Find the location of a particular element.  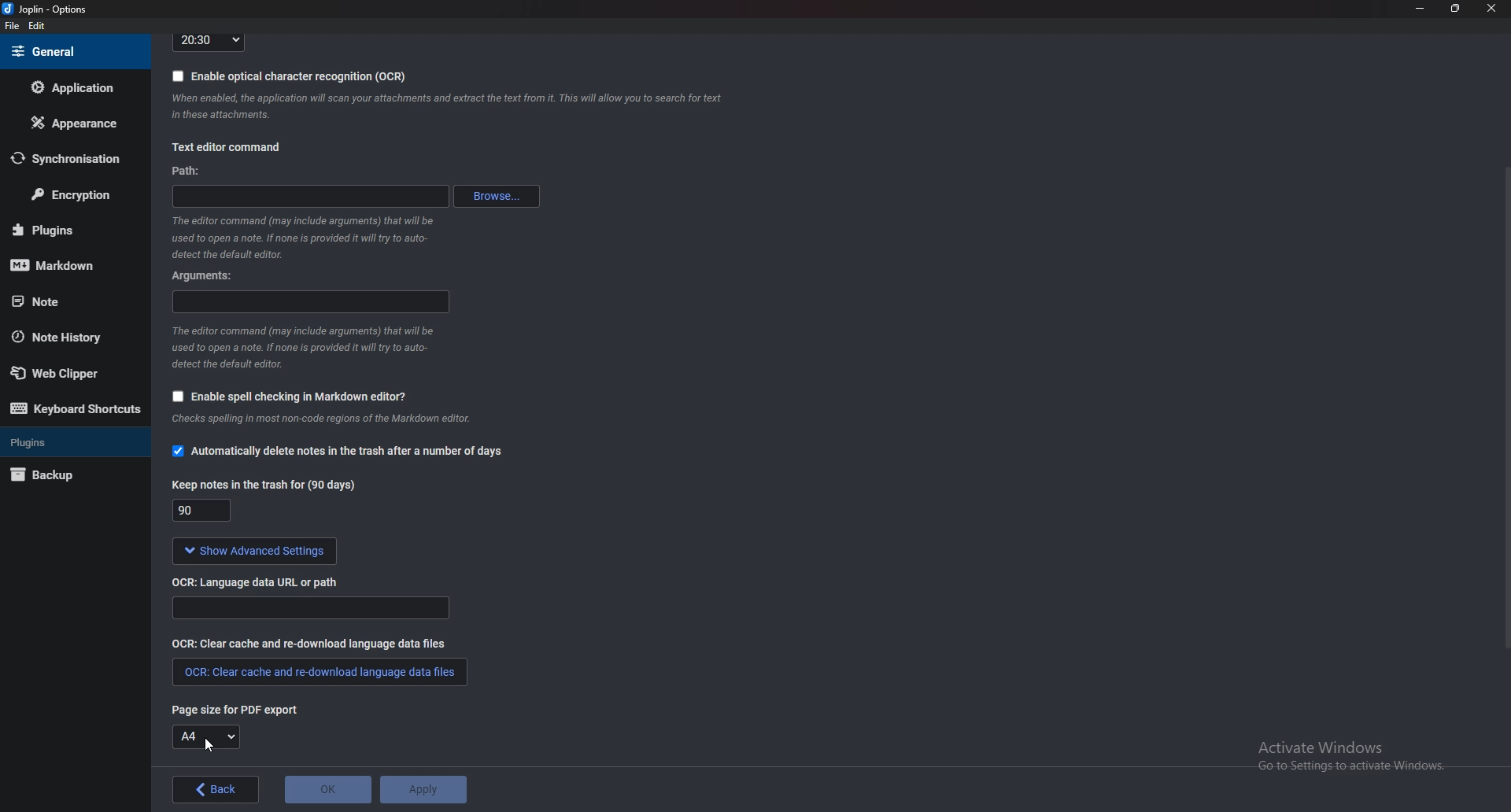

info on ocr is located at coordinates (448, 106).